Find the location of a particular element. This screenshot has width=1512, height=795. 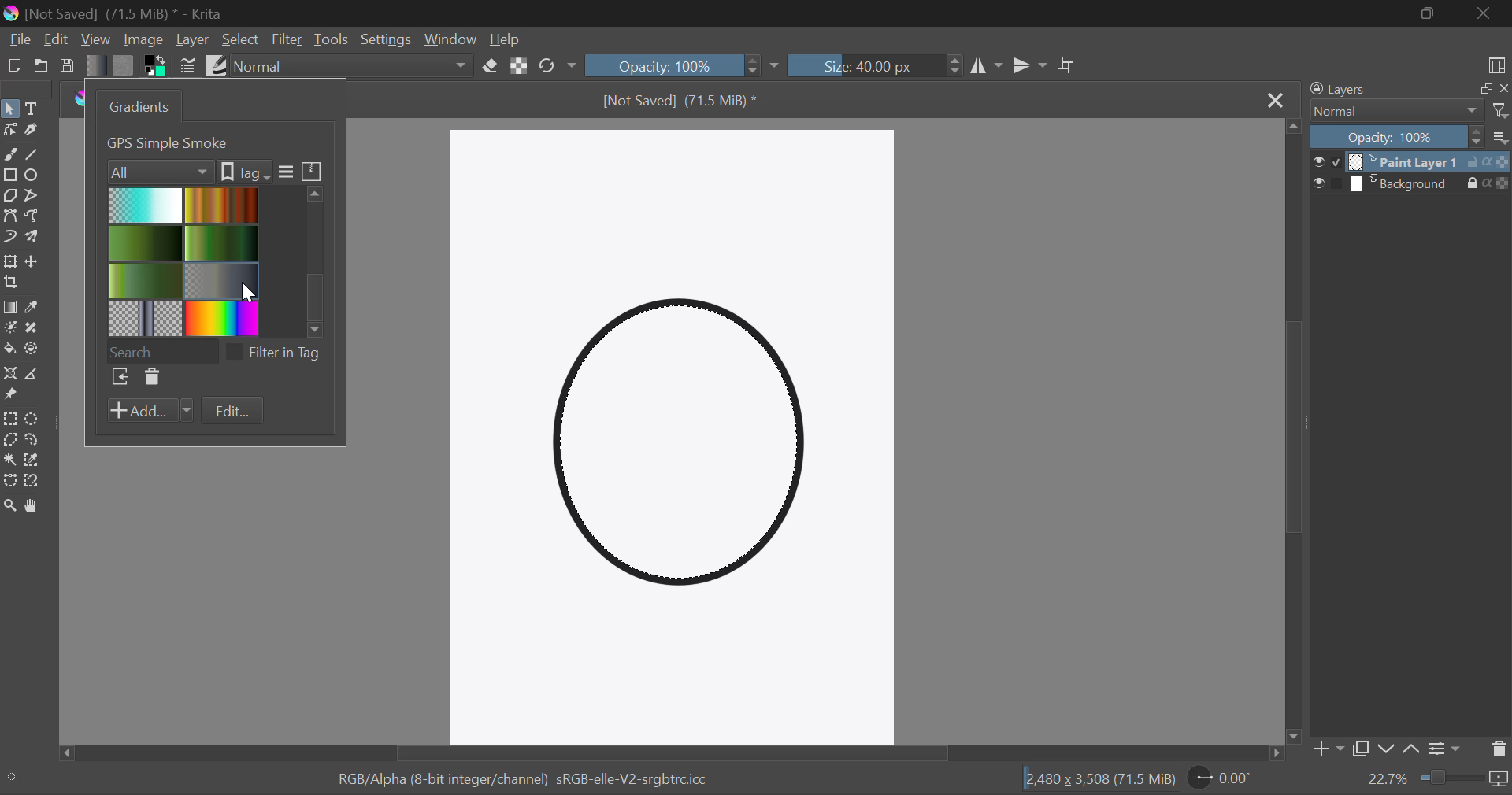

Tools is located at coordinates (332, 39).